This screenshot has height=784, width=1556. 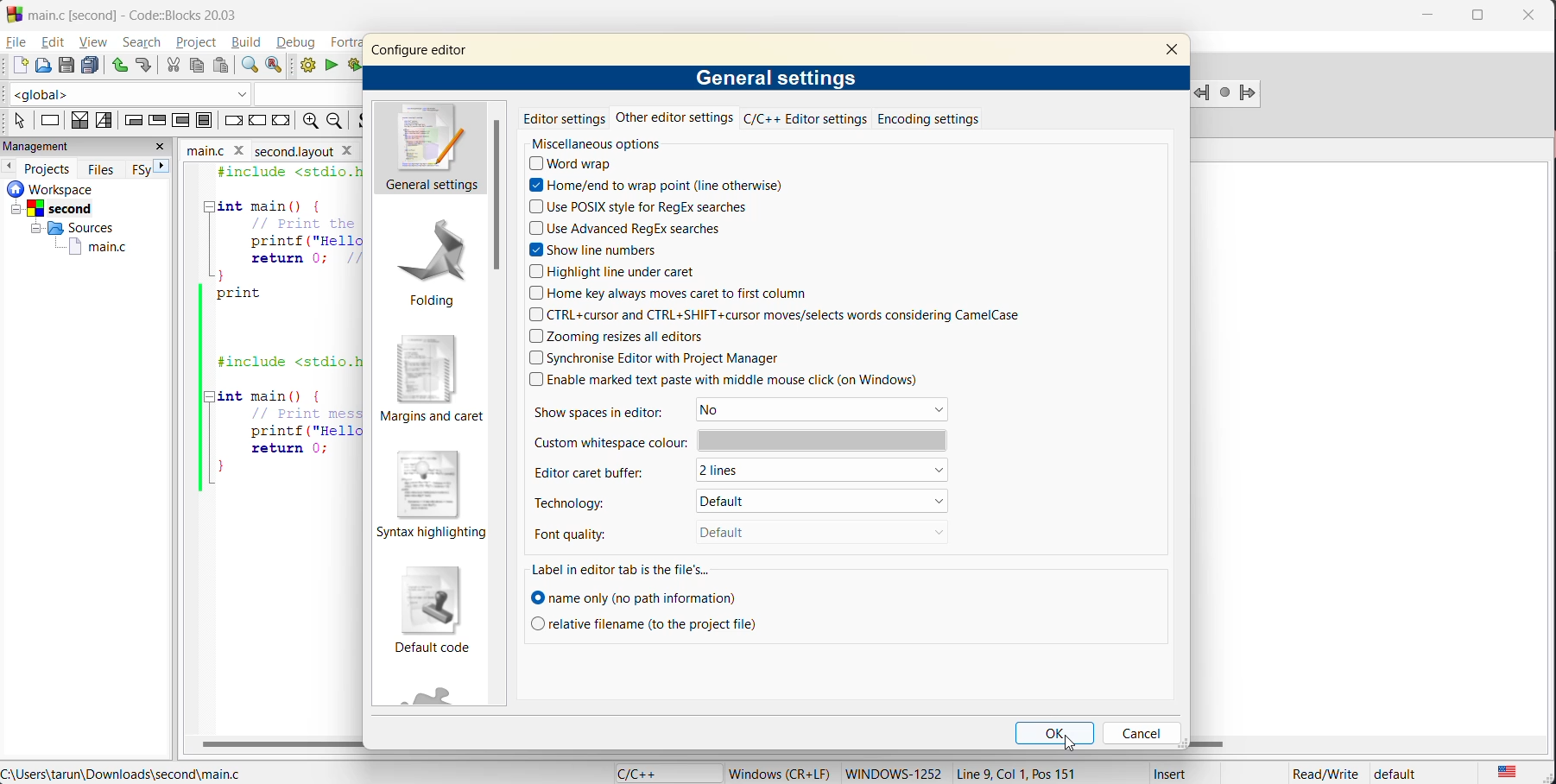 I want to click on Insert, so click(x=1170, y=773).